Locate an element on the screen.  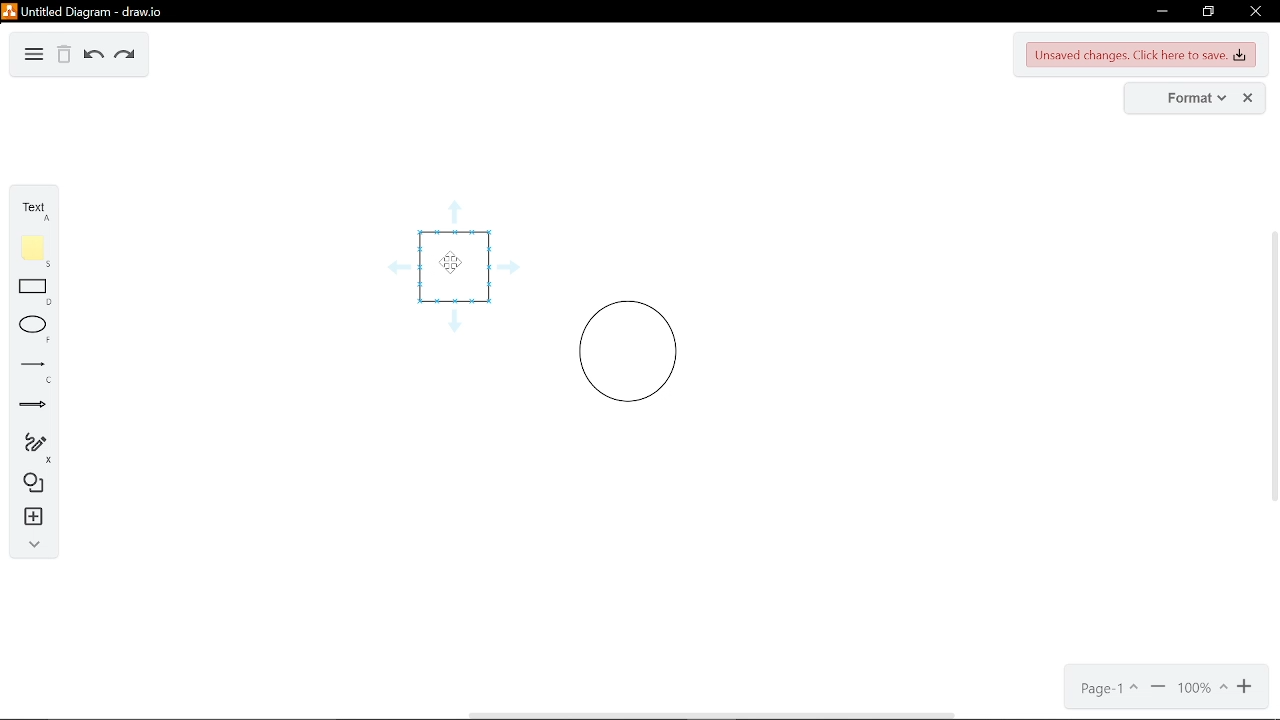
circle is located at coordinates (626, 352).